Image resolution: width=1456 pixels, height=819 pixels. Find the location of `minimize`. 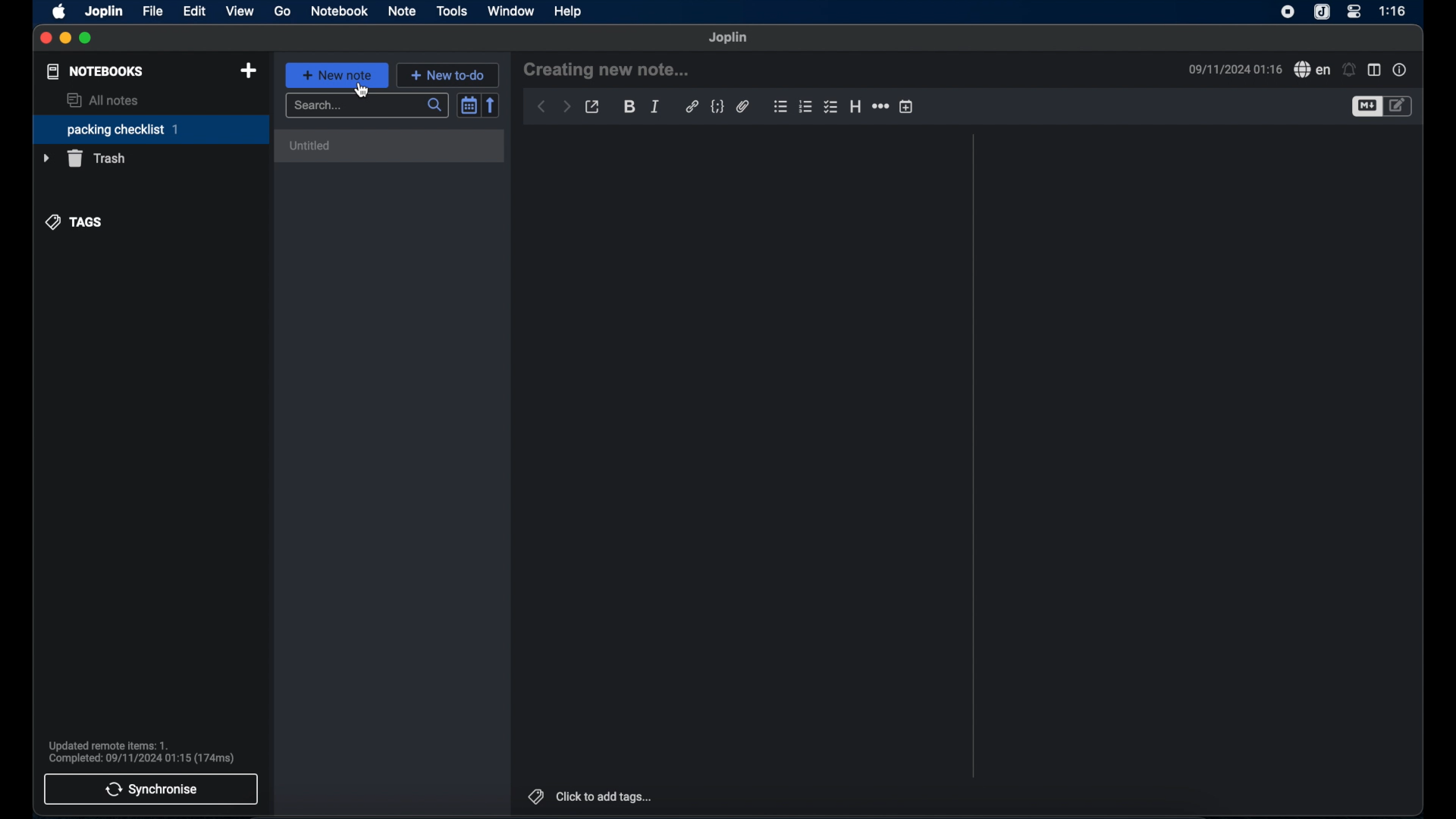

minimize is located at coordinates (65, 39).